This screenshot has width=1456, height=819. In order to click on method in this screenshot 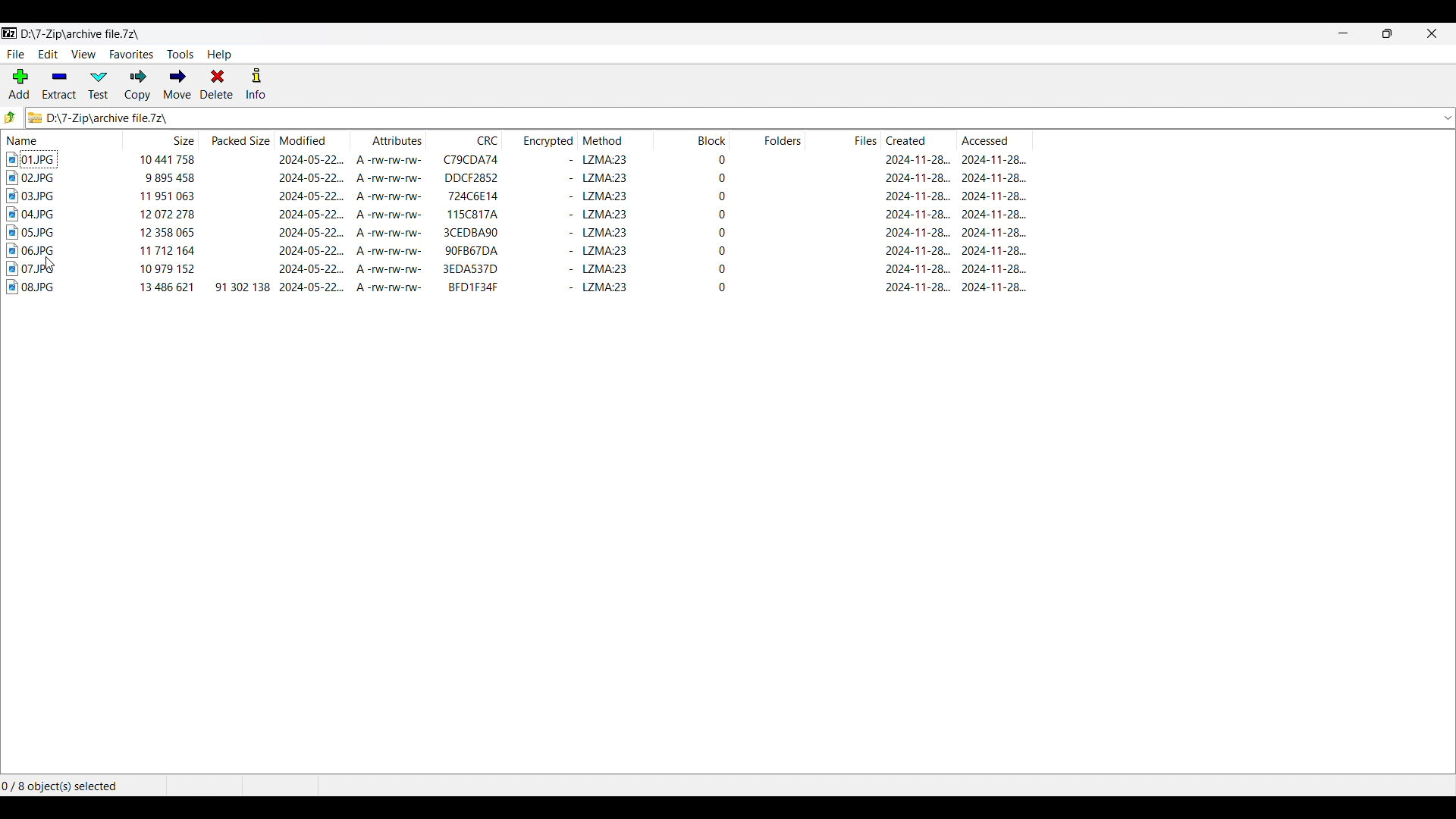, I will do `click(605, 214)`.